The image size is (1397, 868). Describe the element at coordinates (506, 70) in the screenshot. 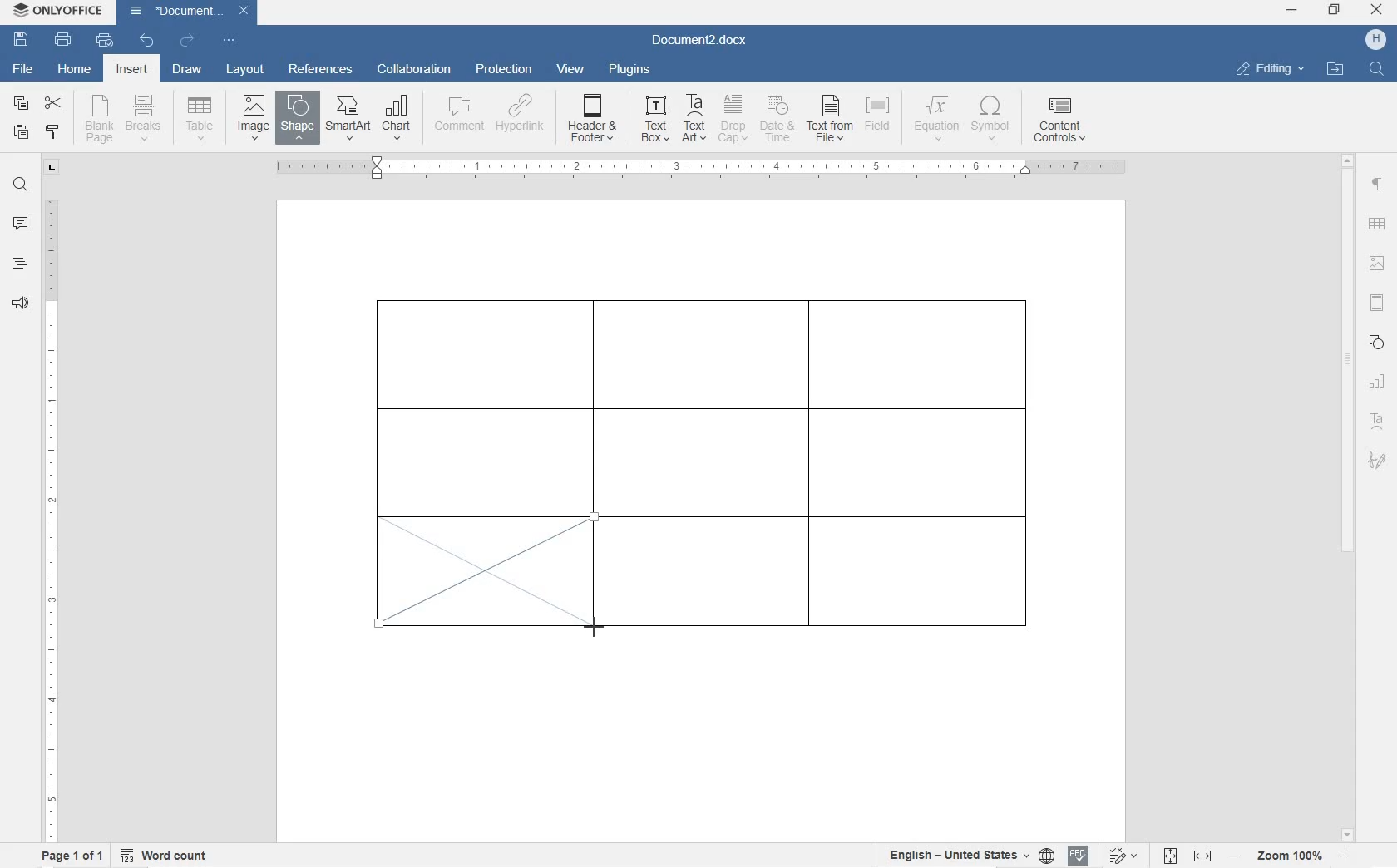

I see `protection` at that location.